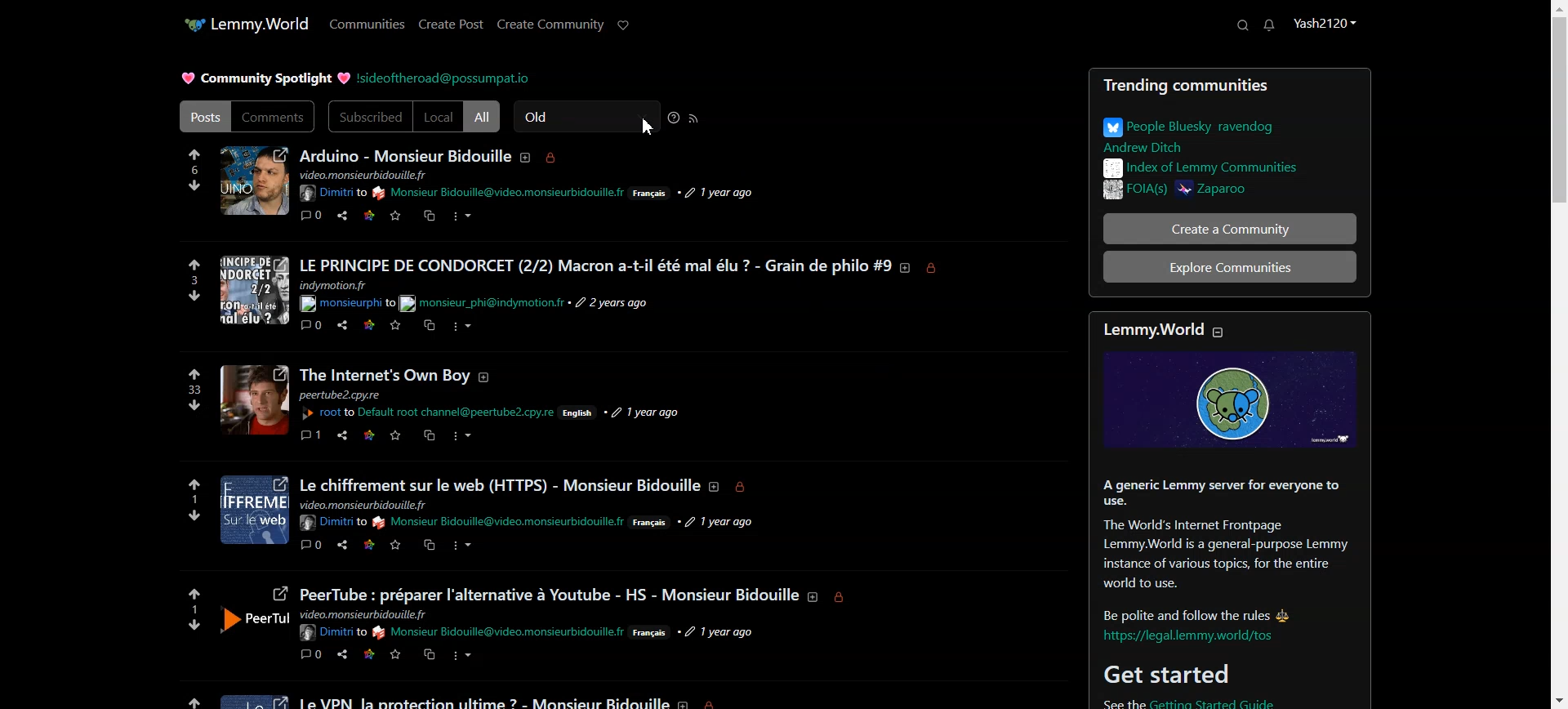 The image size is (1568, 709). Describe the element at coordinates (367, 24) in the screenshot. I see `Communities` at that location.